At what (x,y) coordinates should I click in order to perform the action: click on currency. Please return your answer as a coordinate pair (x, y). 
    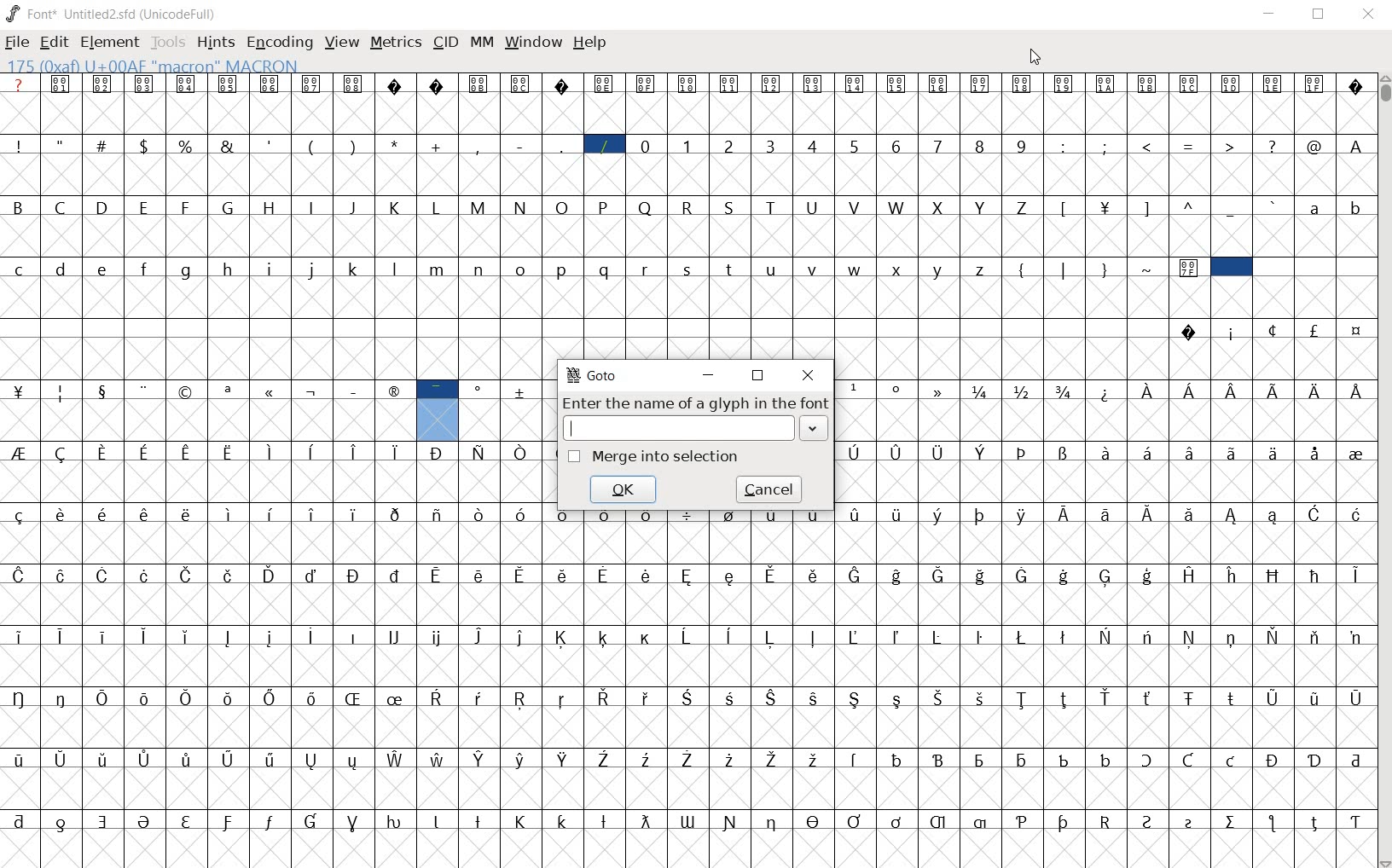
    Looking at the image, I should click on (1107, 226).